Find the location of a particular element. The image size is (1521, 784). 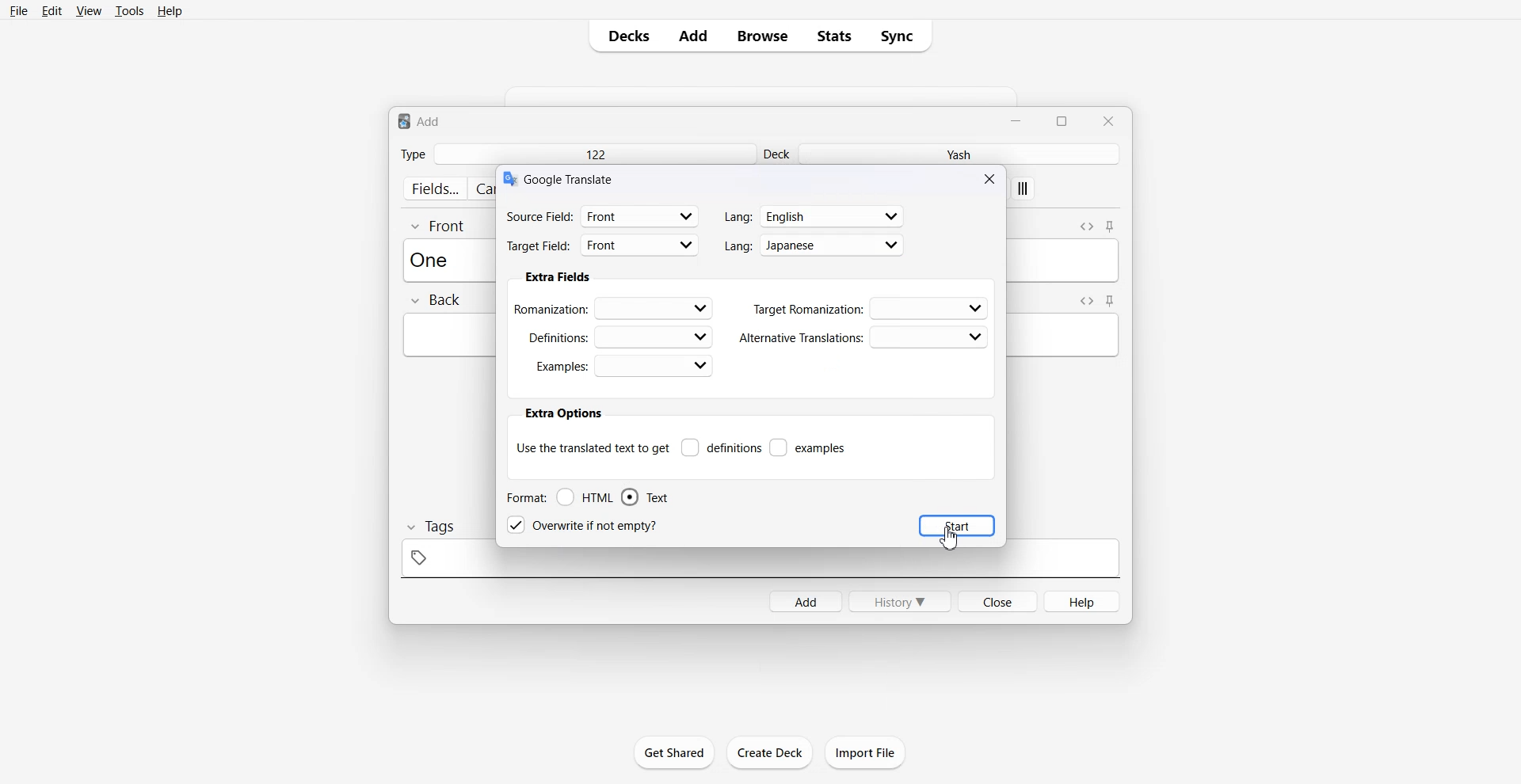

Tools is located at coordinates (129, 10).